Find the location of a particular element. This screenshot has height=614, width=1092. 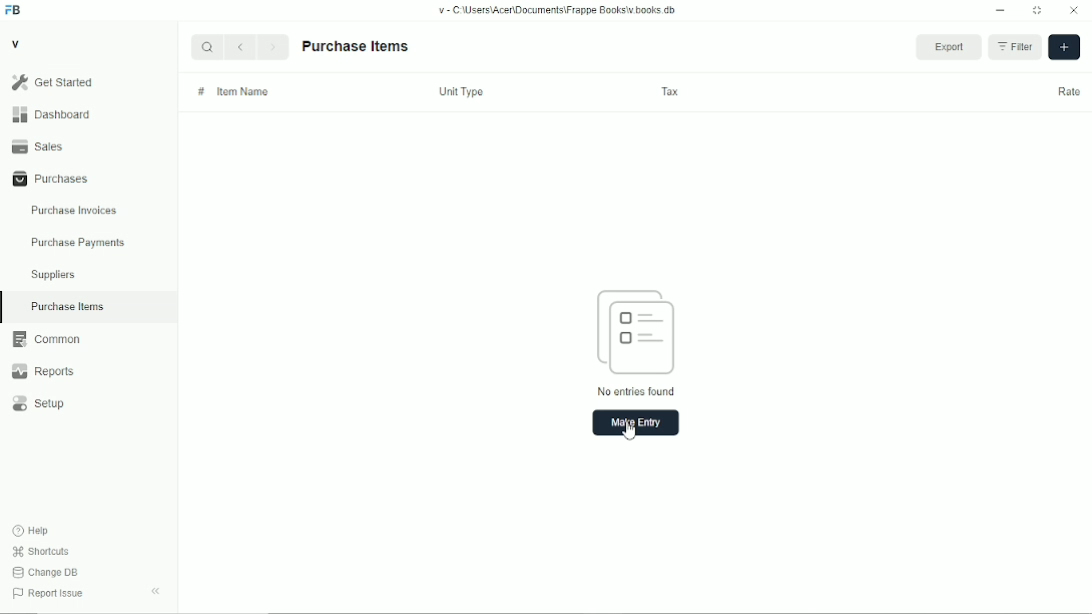

no entries found is located at coordinates (636, 391).